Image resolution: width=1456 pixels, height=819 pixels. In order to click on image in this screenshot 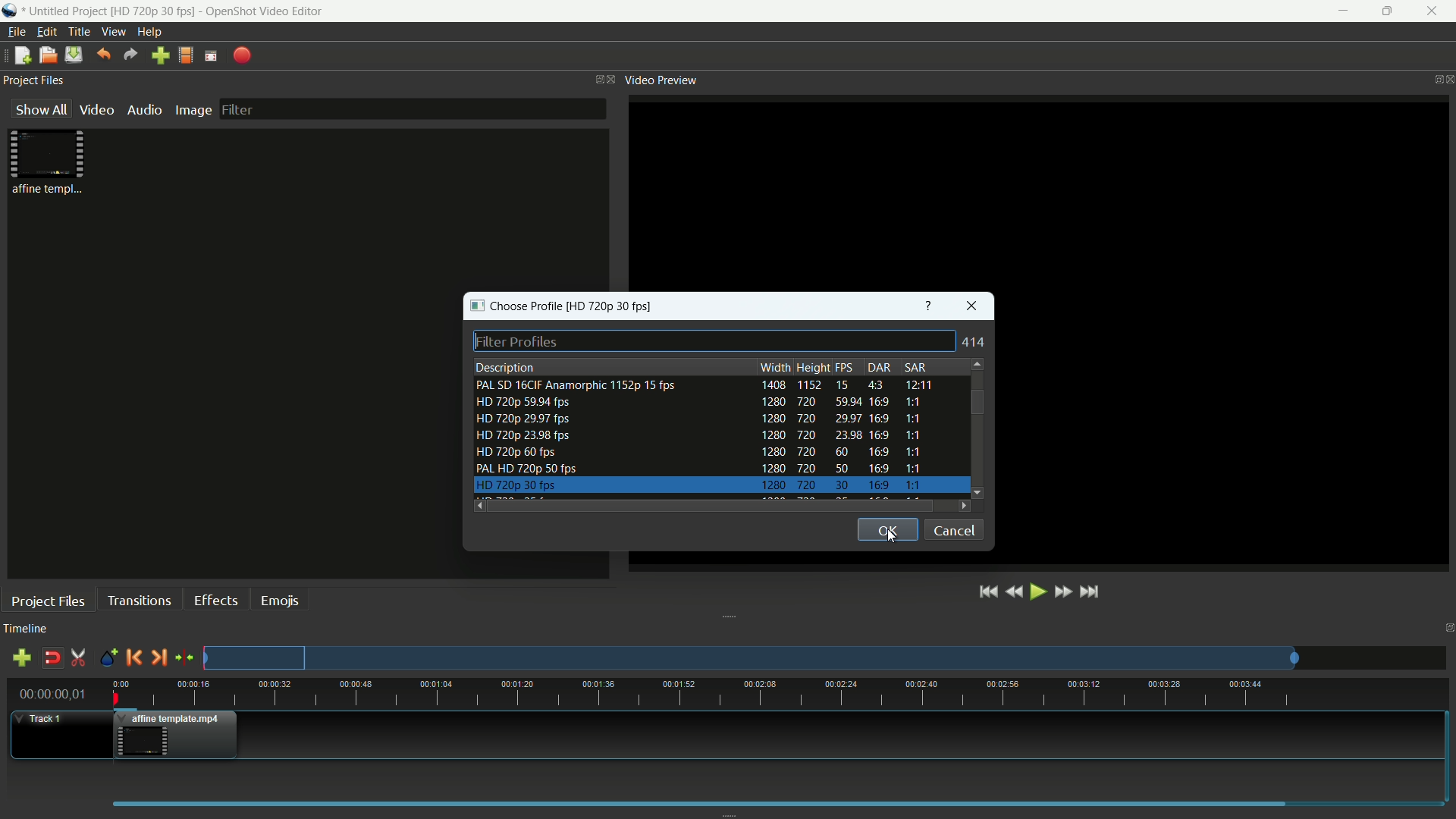, I will do `click(192, 110)`.